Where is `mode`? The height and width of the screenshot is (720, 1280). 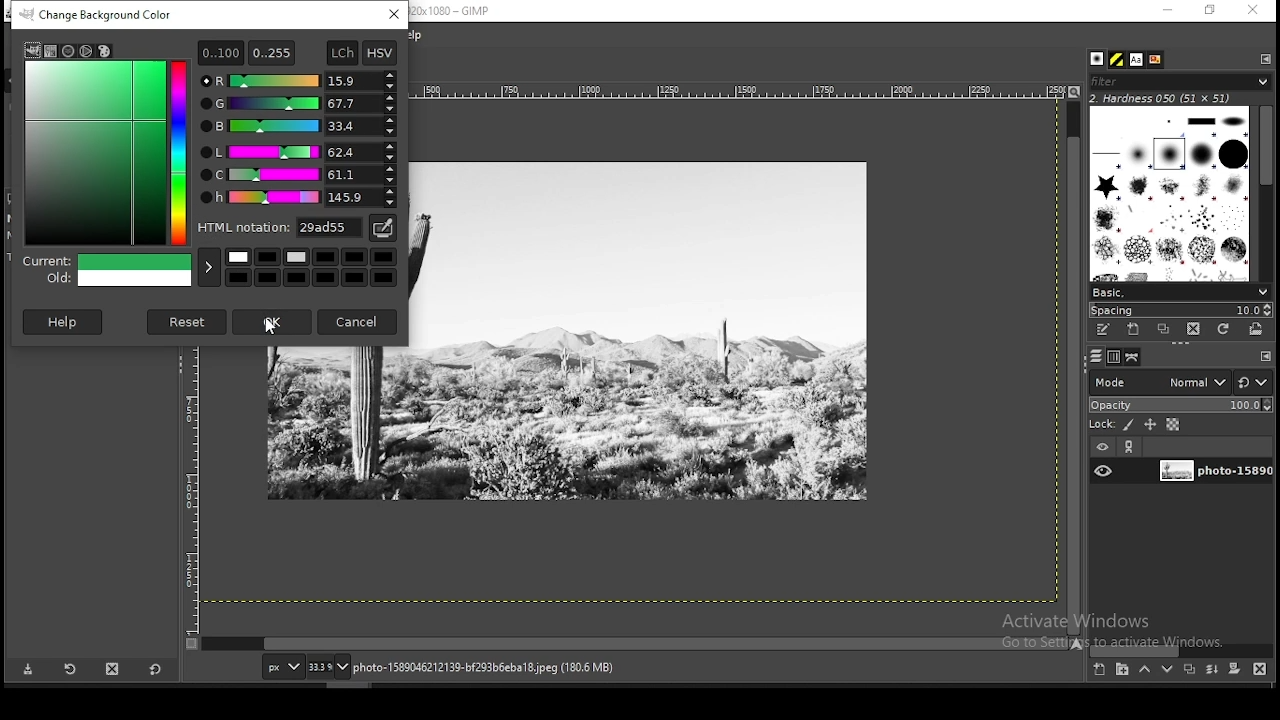 mode is located at coordinates (1159, 381).